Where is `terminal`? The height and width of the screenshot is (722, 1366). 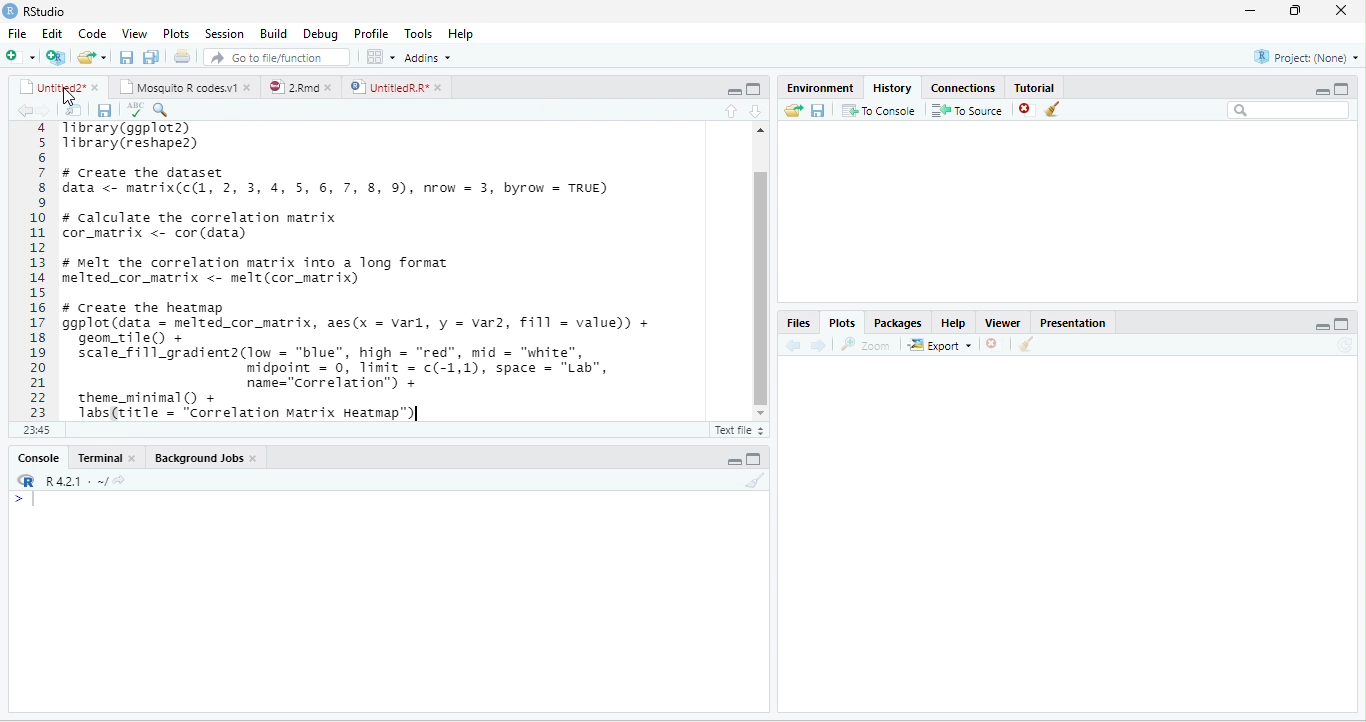
terminal is located at coordinates (110, 457).